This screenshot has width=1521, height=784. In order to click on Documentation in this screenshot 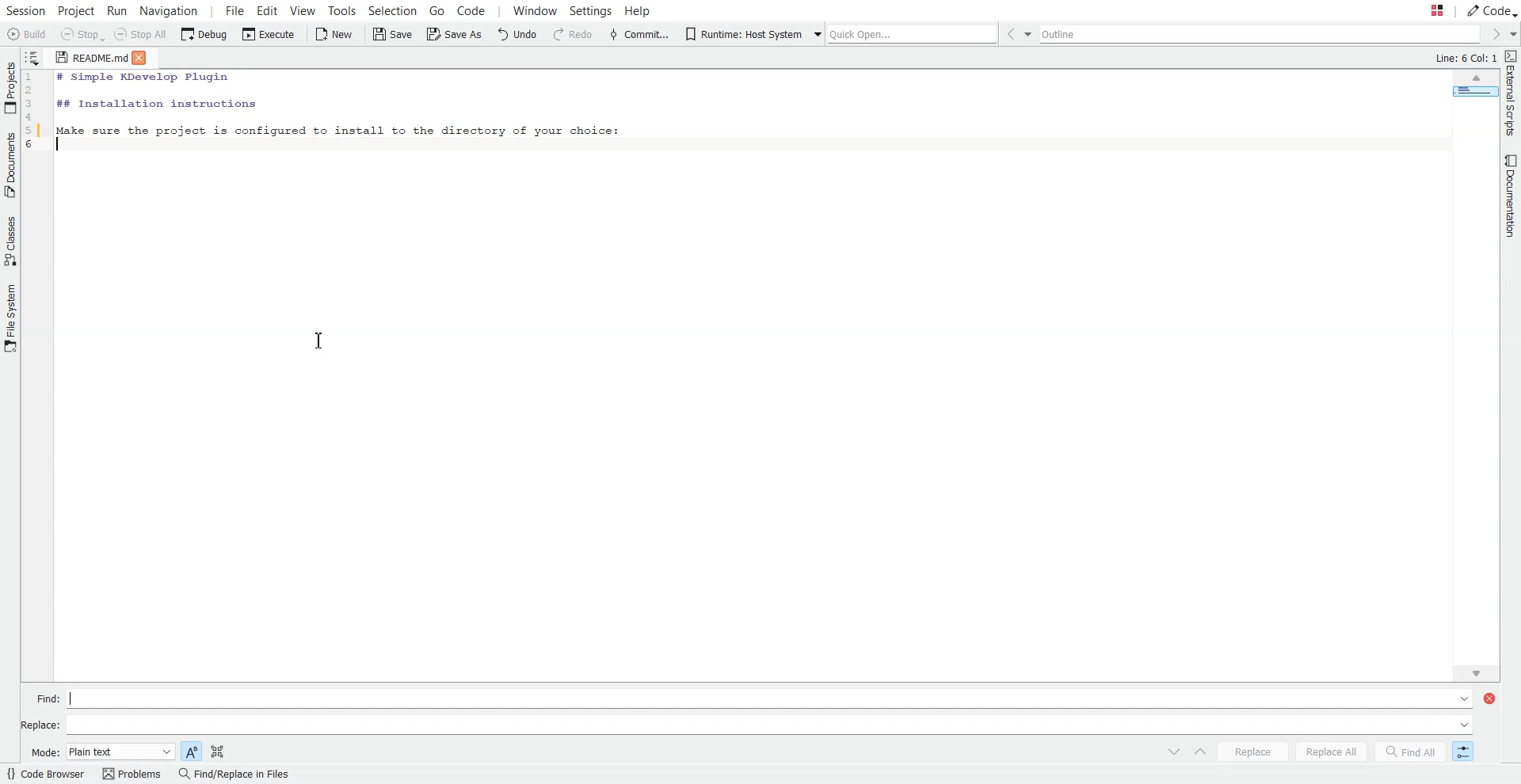, I will do `click(1507, 197)`.